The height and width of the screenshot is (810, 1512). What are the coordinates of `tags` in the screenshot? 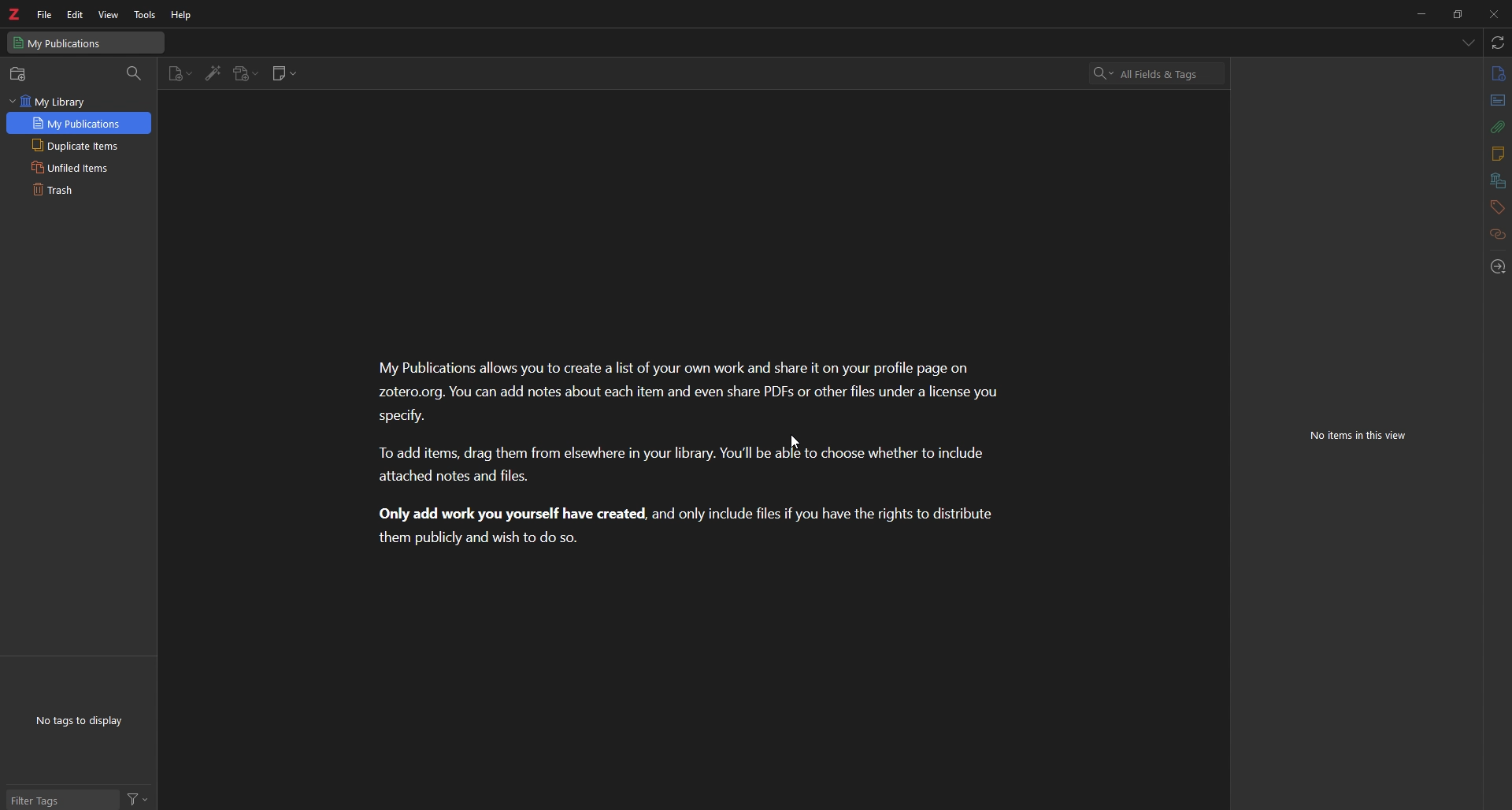 It's located at (1497, 207).